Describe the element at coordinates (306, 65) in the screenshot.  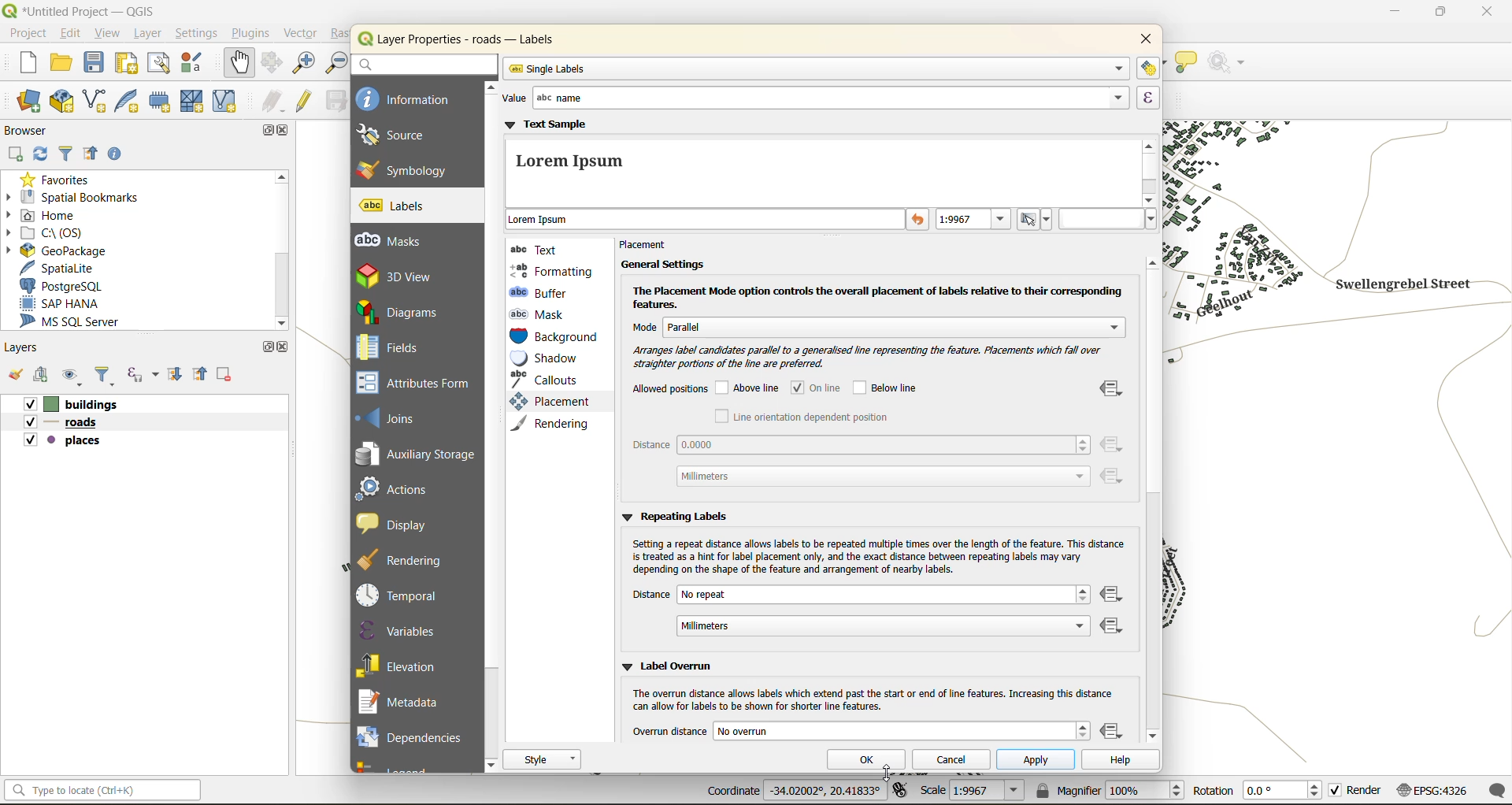
I see `zoom in` at that location.